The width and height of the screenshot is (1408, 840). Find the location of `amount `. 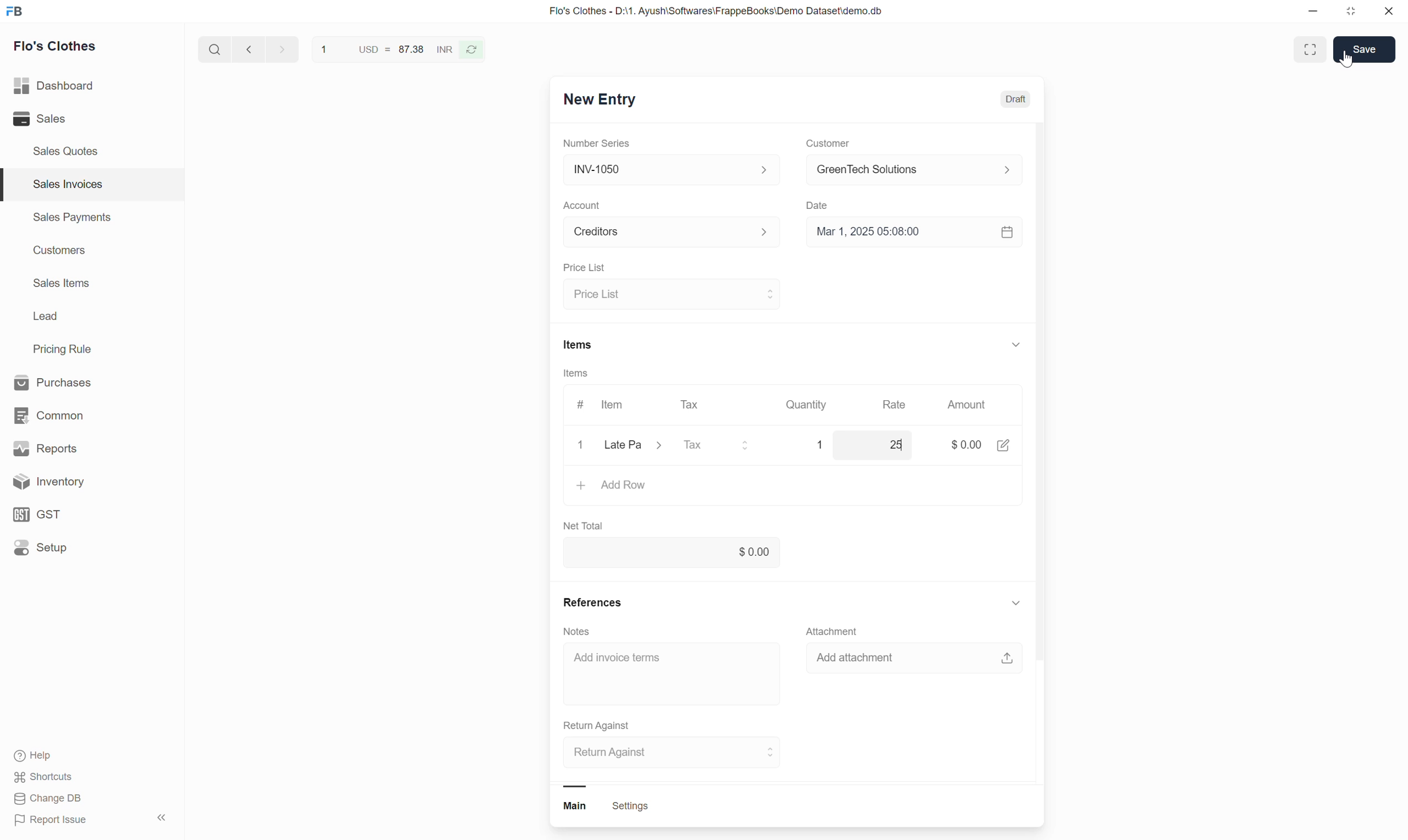

amount  is located at coordinates (958, 445).